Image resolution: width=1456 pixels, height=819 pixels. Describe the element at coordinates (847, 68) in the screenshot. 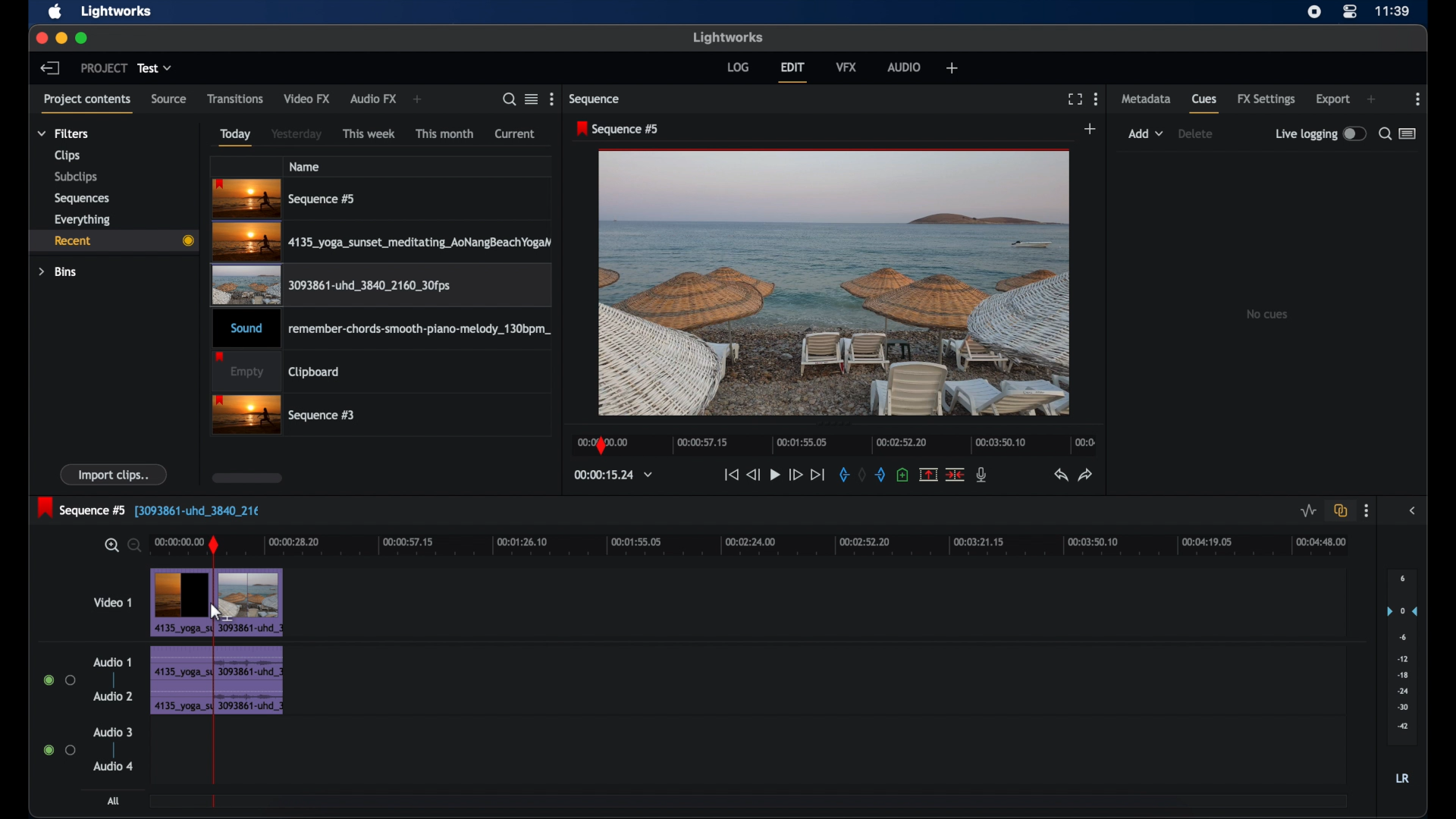

I see `vfx` at that location.